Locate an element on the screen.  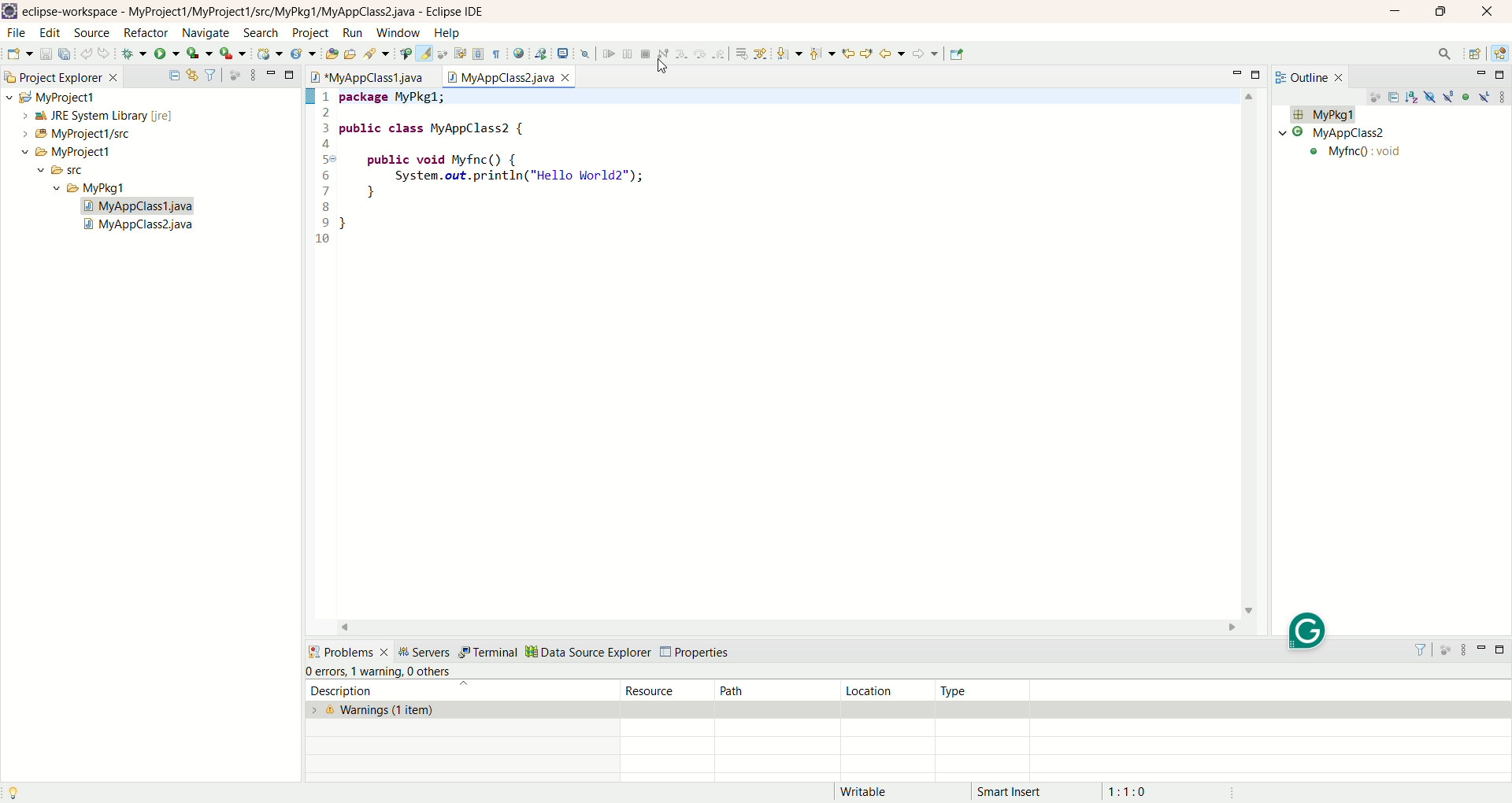
edit is located at coordinates (50, 35).